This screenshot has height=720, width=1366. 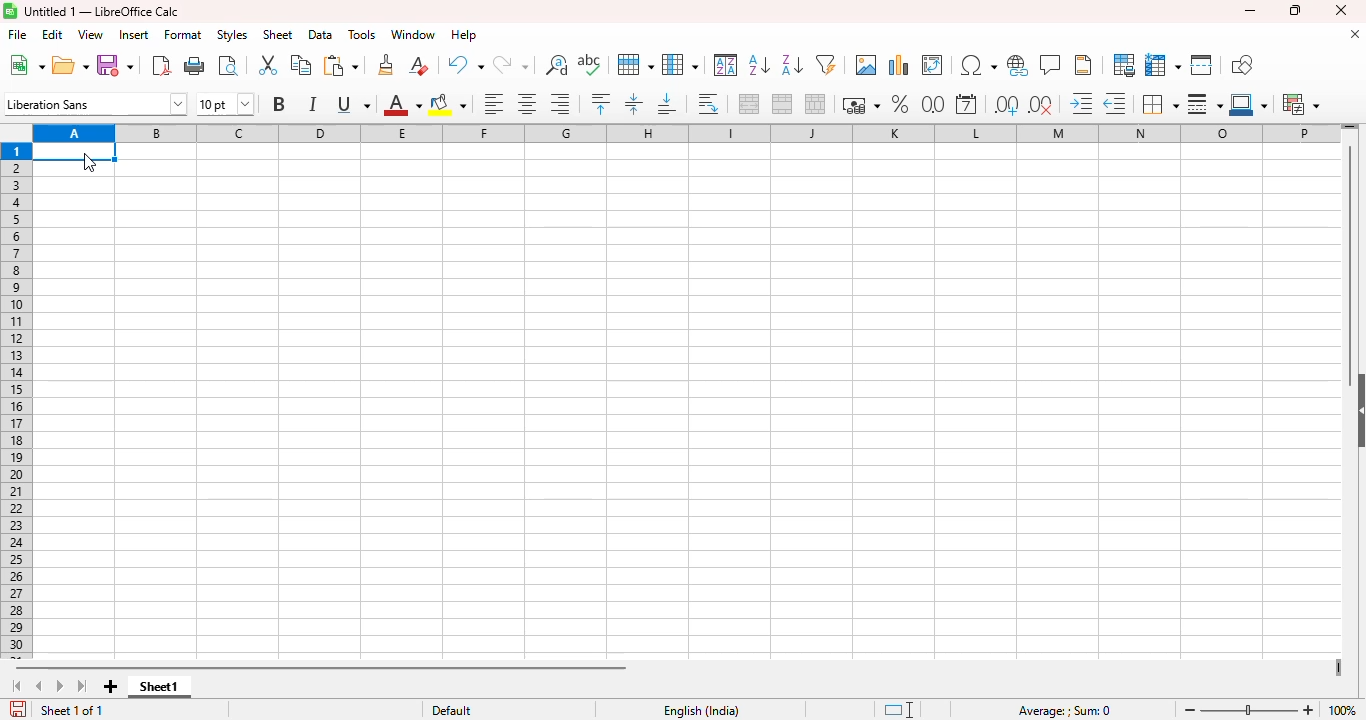 I want to click on click to save the document, so click(x=19, y=708).